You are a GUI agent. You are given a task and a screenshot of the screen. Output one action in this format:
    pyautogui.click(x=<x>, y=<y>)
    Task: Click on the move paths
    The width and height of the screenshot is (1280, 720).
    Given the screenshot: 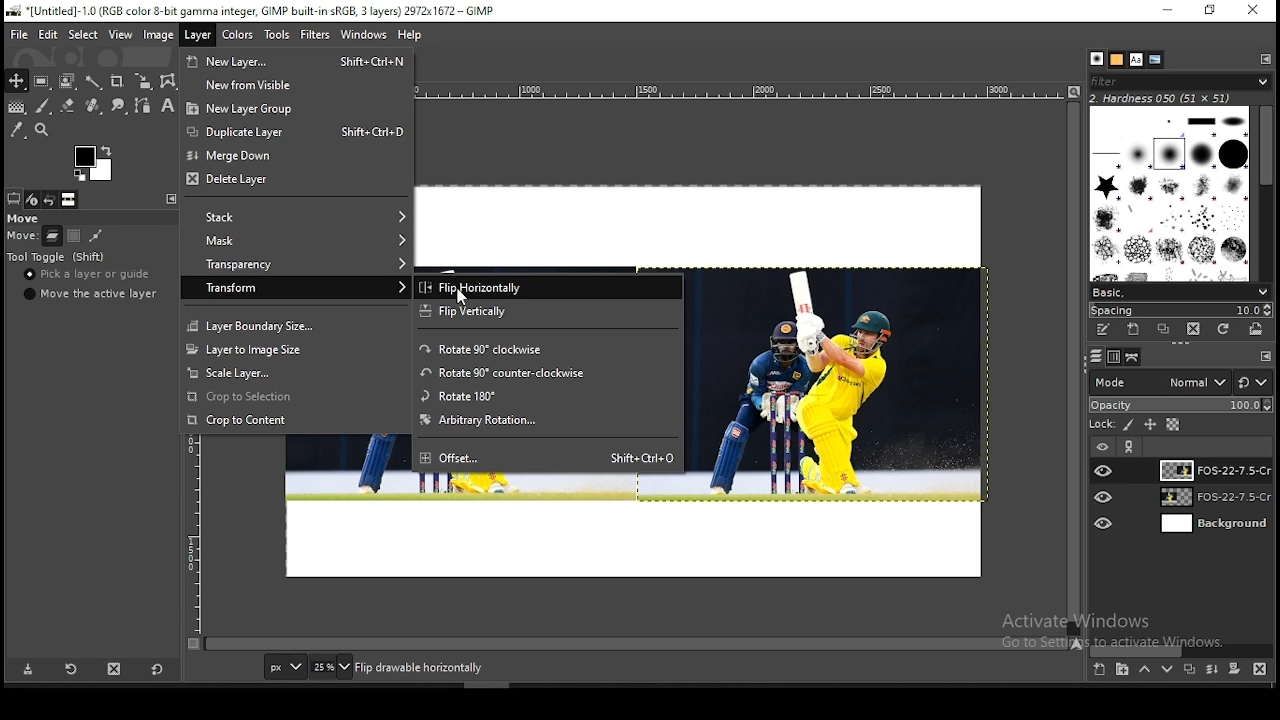 What is the action you would take?
    pyautogui.click(x=96, y=235)
    